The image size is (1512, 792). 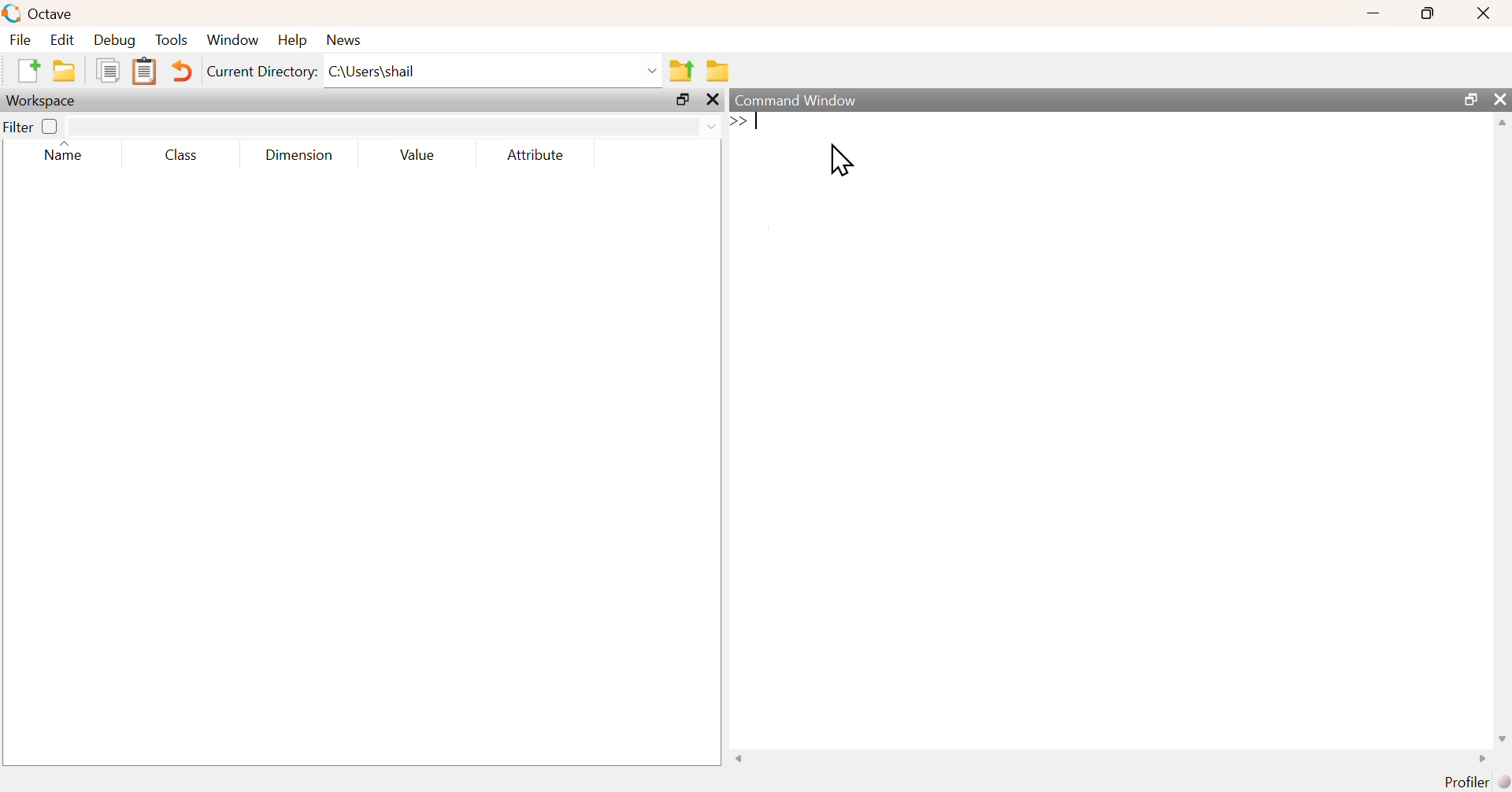 I want to click on Scroll left, so click(x=744, y=759).